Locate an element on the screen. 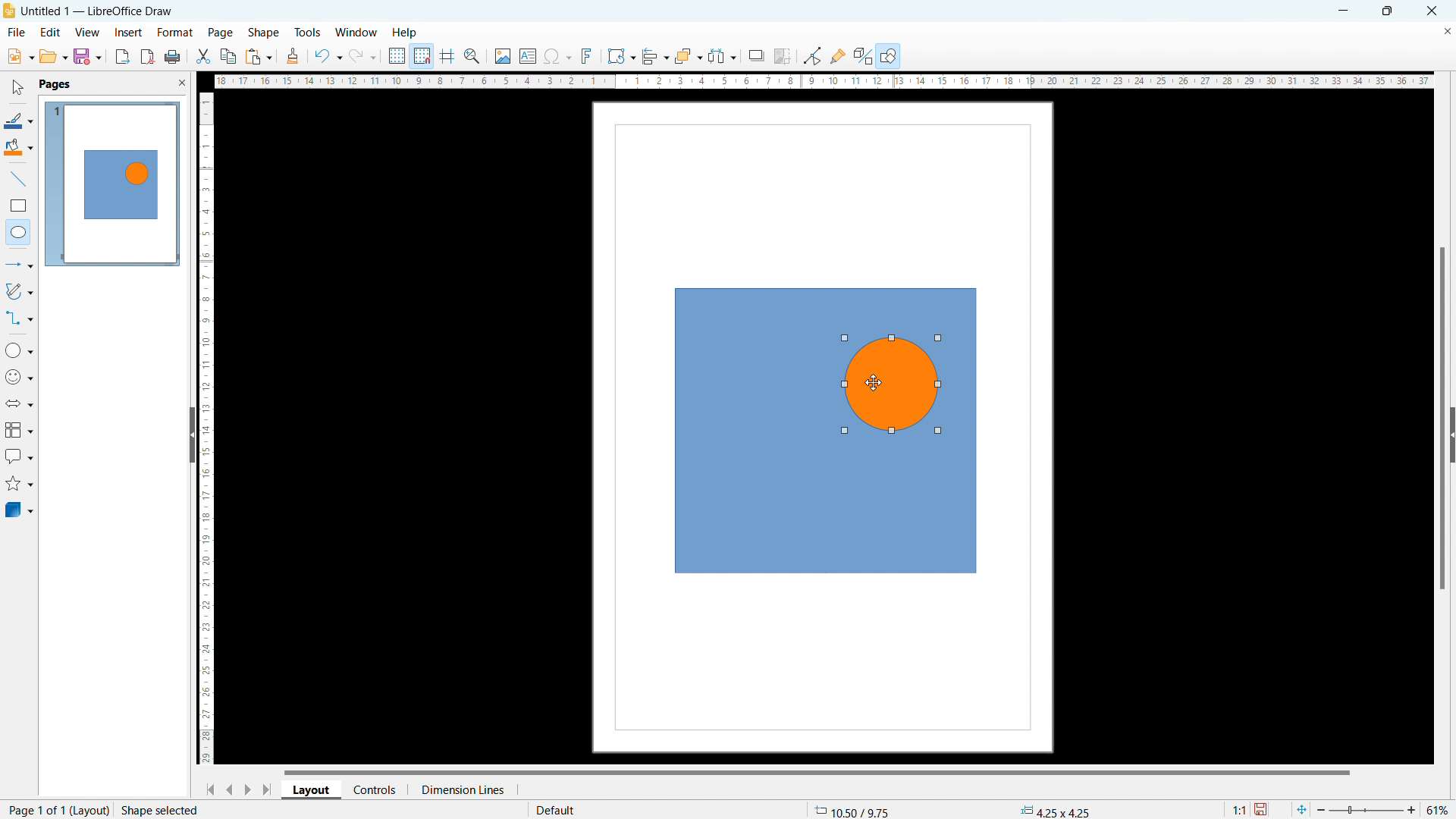 This screenshot has height=819, width=1456. object 2 added  is located at coordinates (898, 383).